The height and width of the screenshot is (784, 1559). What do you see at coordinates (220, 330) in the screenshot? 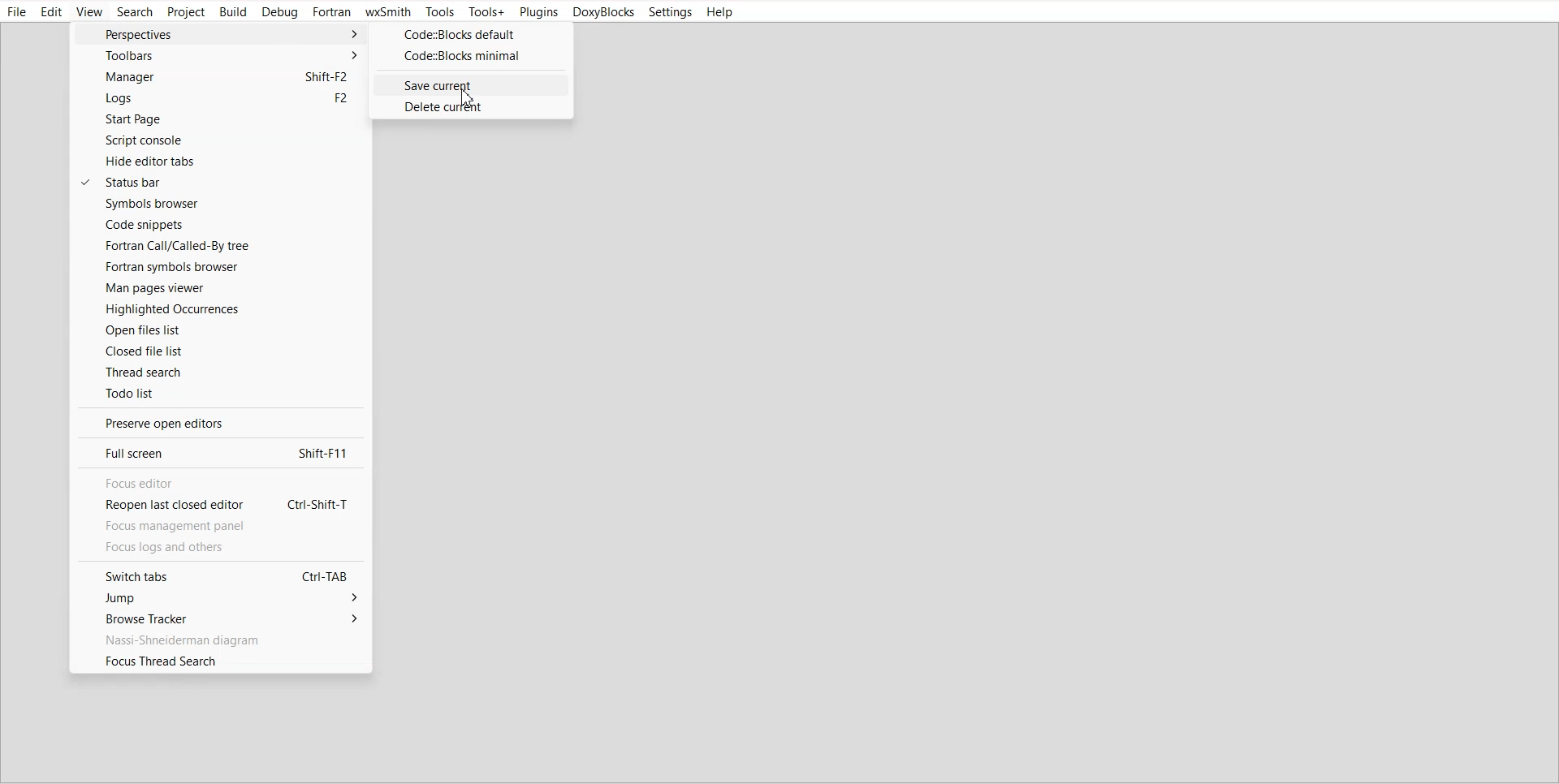
I see `Open files list` at bounding box center [220, 330].